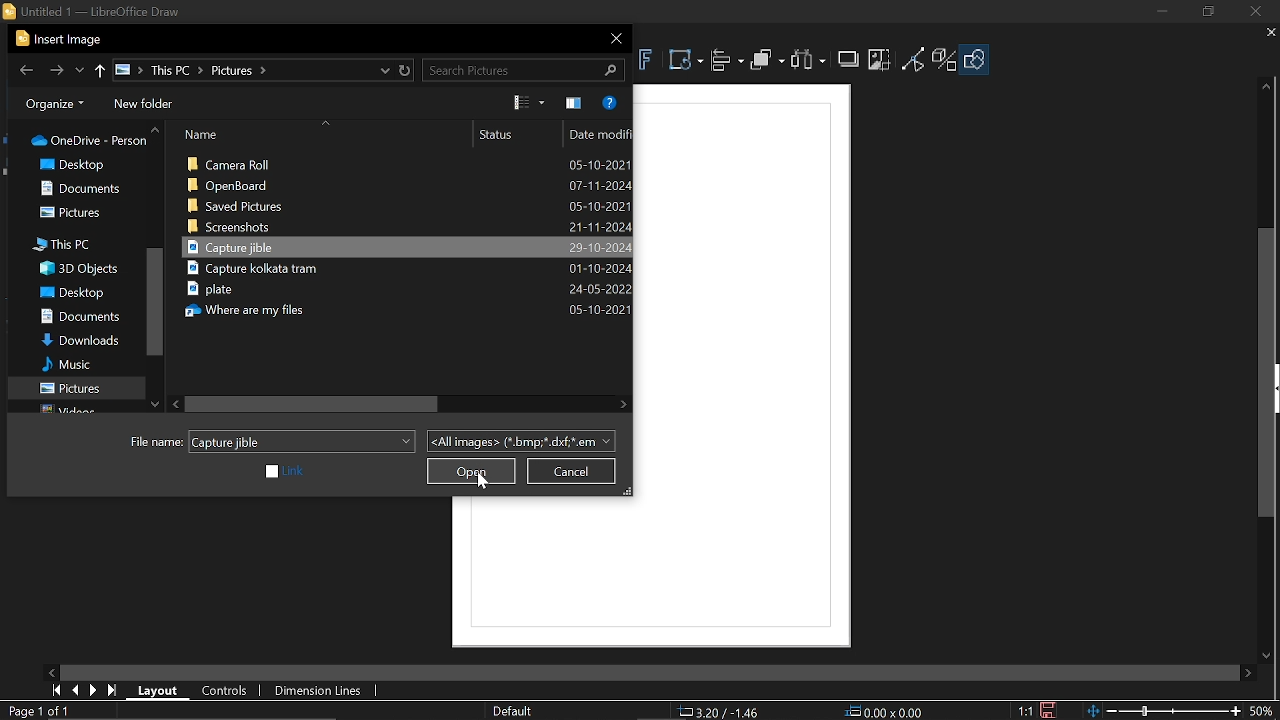 This screenshot has height=720, width=1280. Describe the element at coordinates (158, 129) in the screenshot. I see `Move up in folders` at that location.